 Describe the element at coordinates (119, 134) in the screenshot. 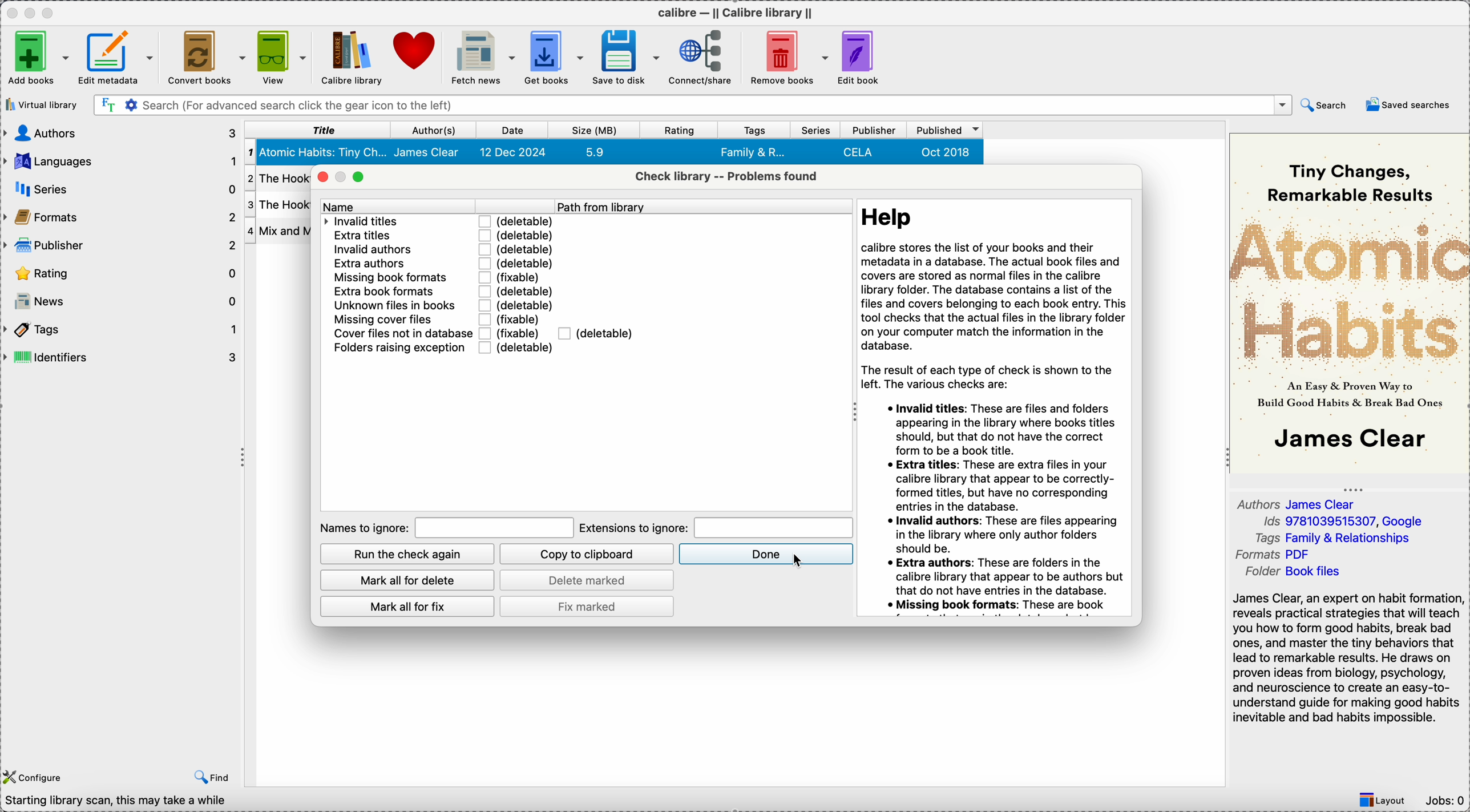

I see `authors` at that location.